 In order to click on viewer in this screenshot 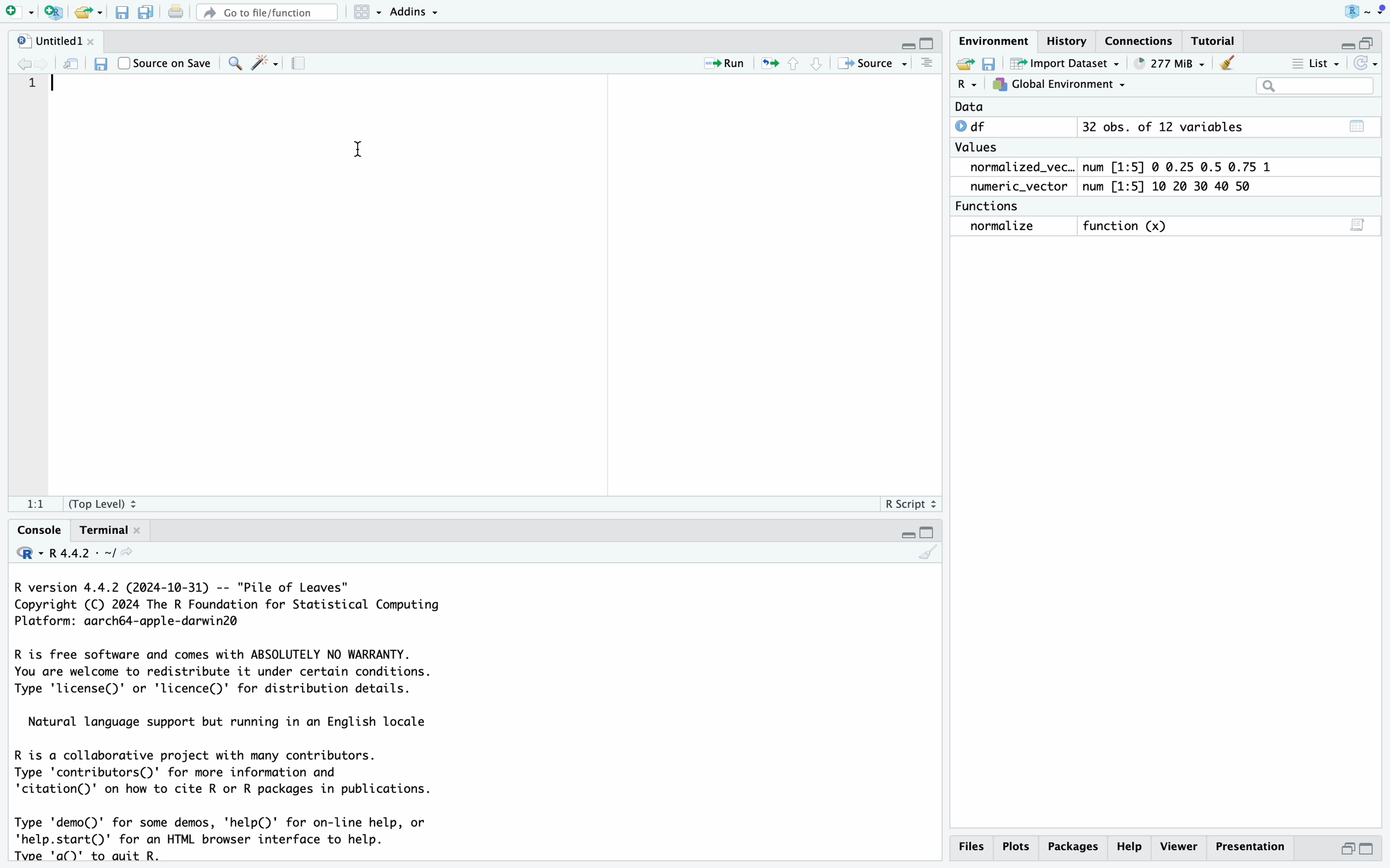, I will do `click(1179, 846)`.